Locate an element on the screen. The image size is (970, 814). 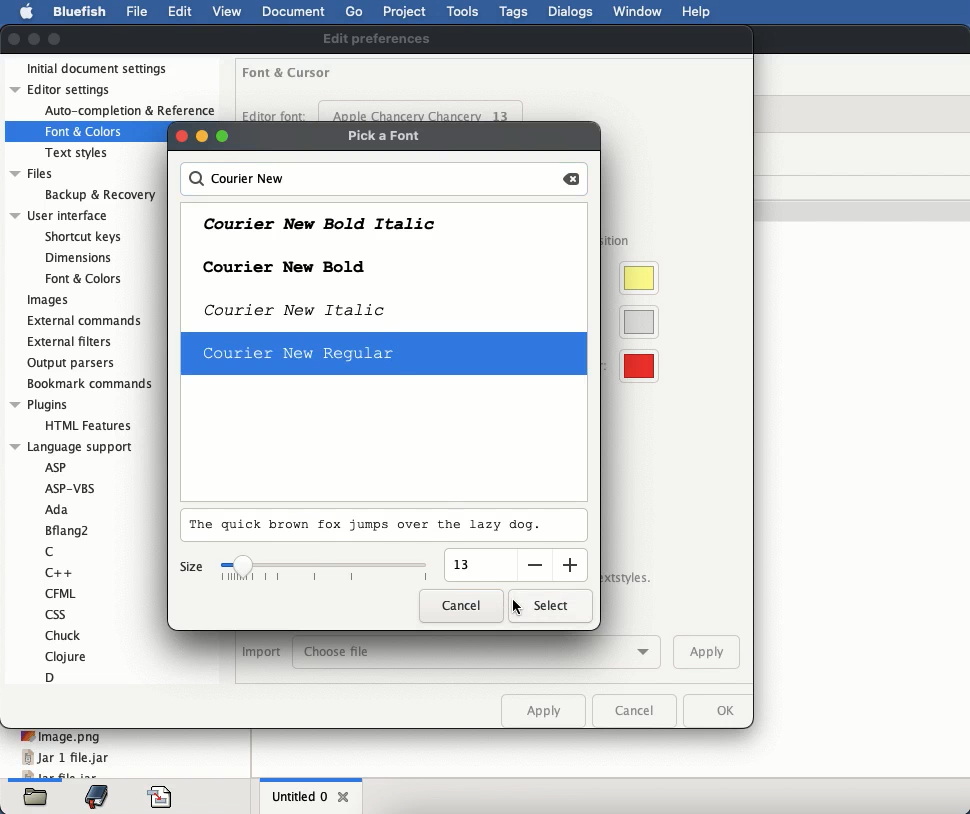
selected is located at coordinates (384, 354).